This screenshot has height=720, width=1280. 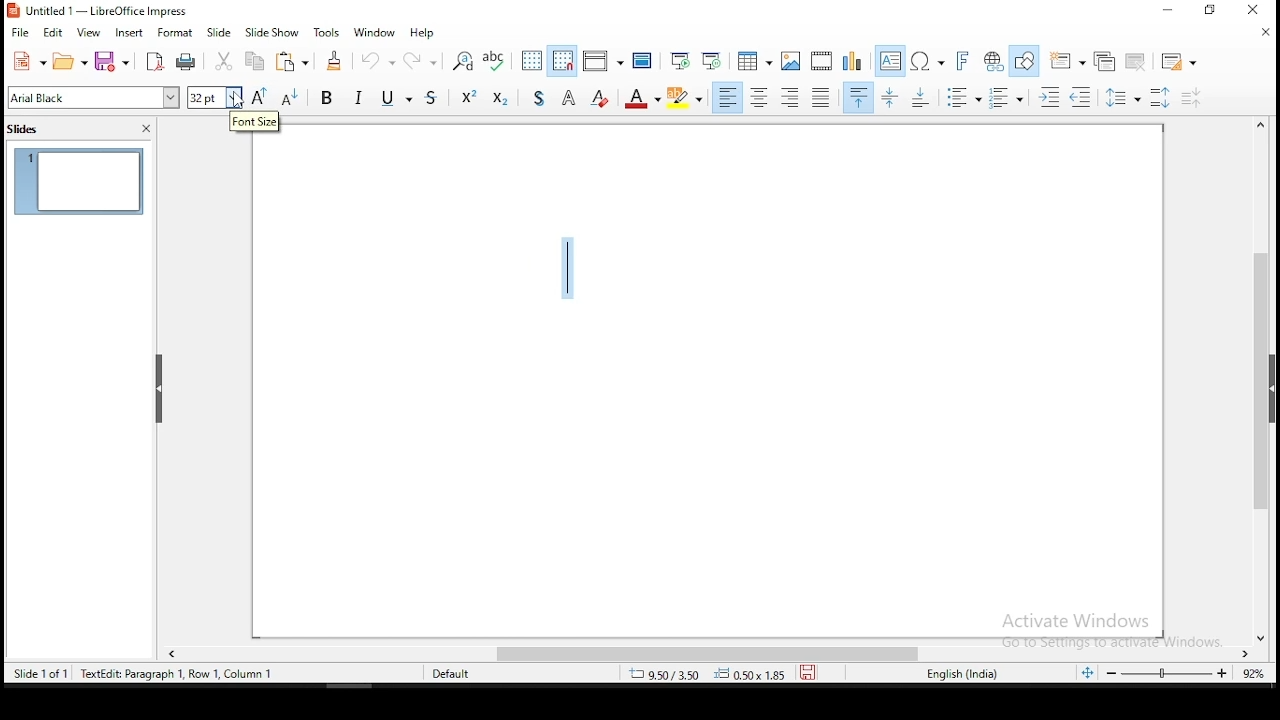 I want to click on 32 pt, so click(x=213, y=98).